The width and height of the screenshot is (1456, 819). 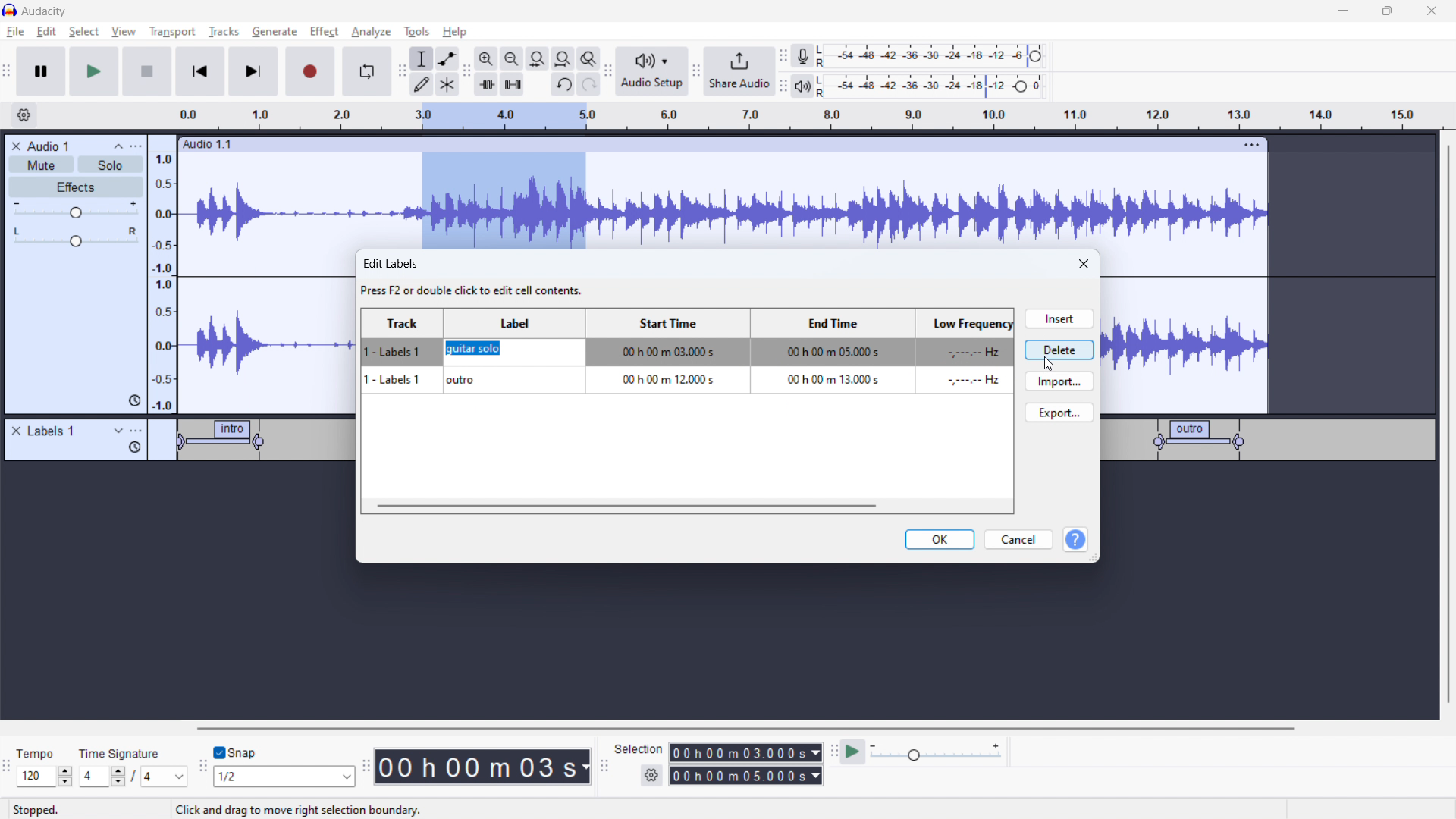 What do you see at coordinates (52, 431) in the screenshot?
I see `labels` at bounding box center [52, 431].